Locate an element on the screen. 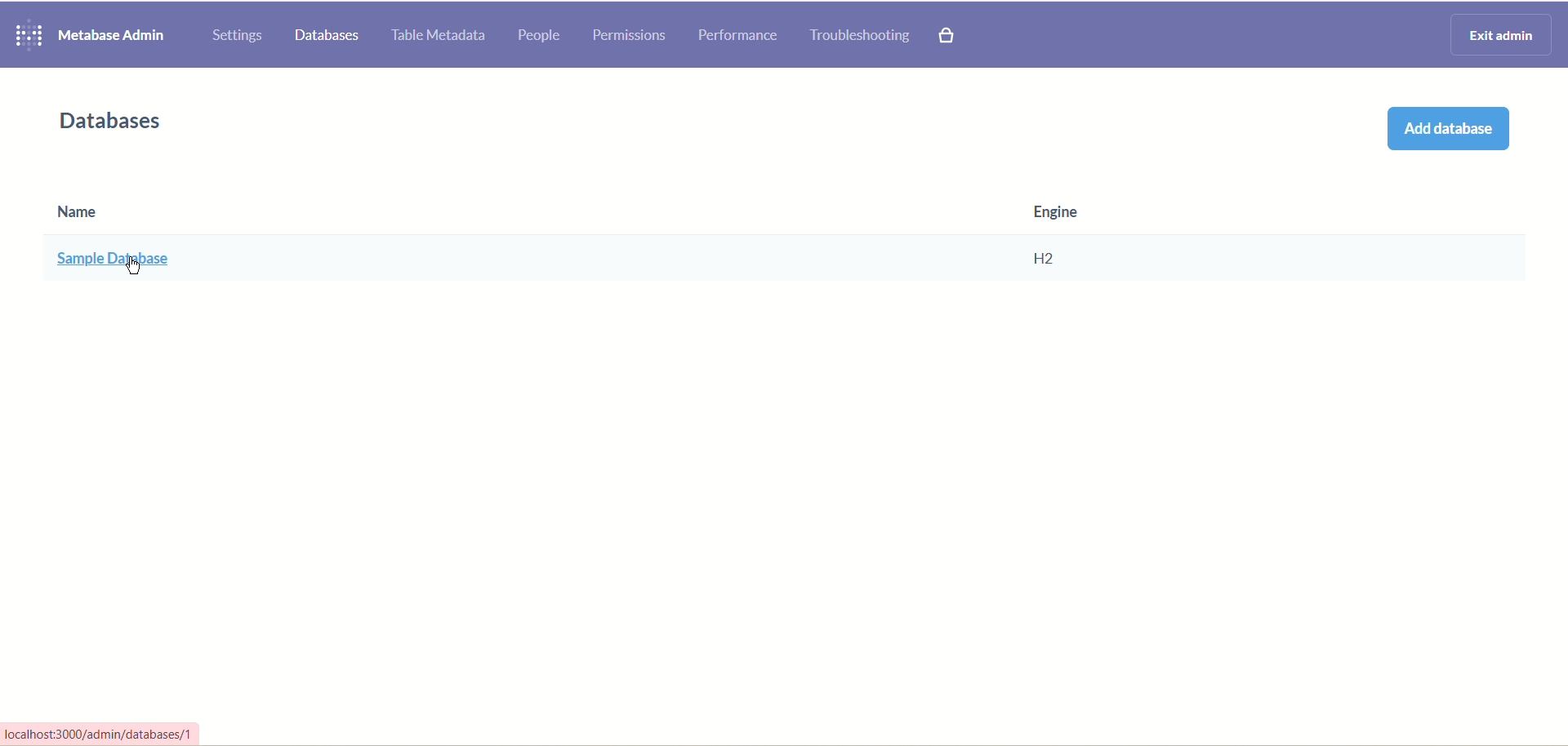  name is located at coordinates (109, 240).